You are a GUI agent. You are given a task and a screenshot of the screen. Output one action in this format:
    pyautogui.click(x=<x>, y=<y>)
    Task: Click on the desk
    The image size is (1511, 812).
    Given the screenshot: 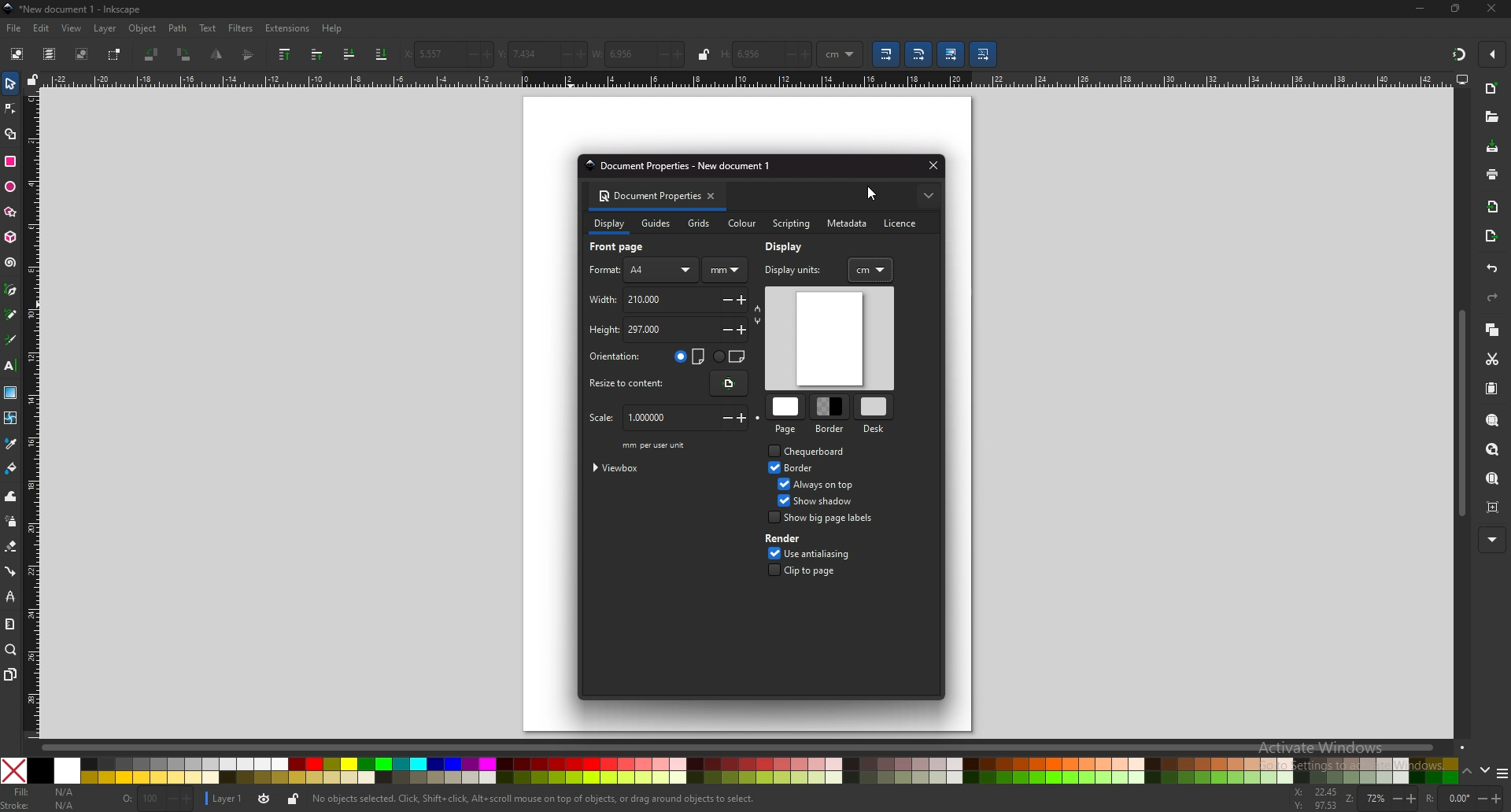 What is the action you would take?
    pyautogui.click(x=873, y=415)
    